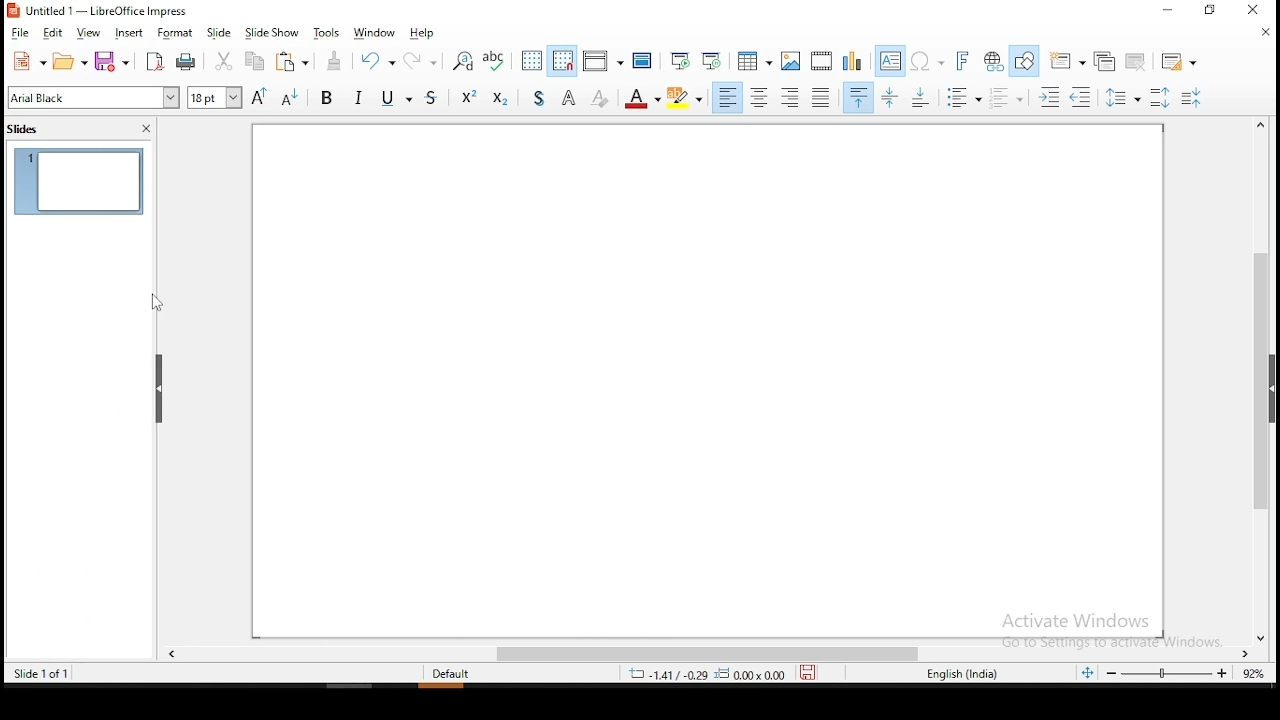  I want to click on snap to grid, so click(563, 60).